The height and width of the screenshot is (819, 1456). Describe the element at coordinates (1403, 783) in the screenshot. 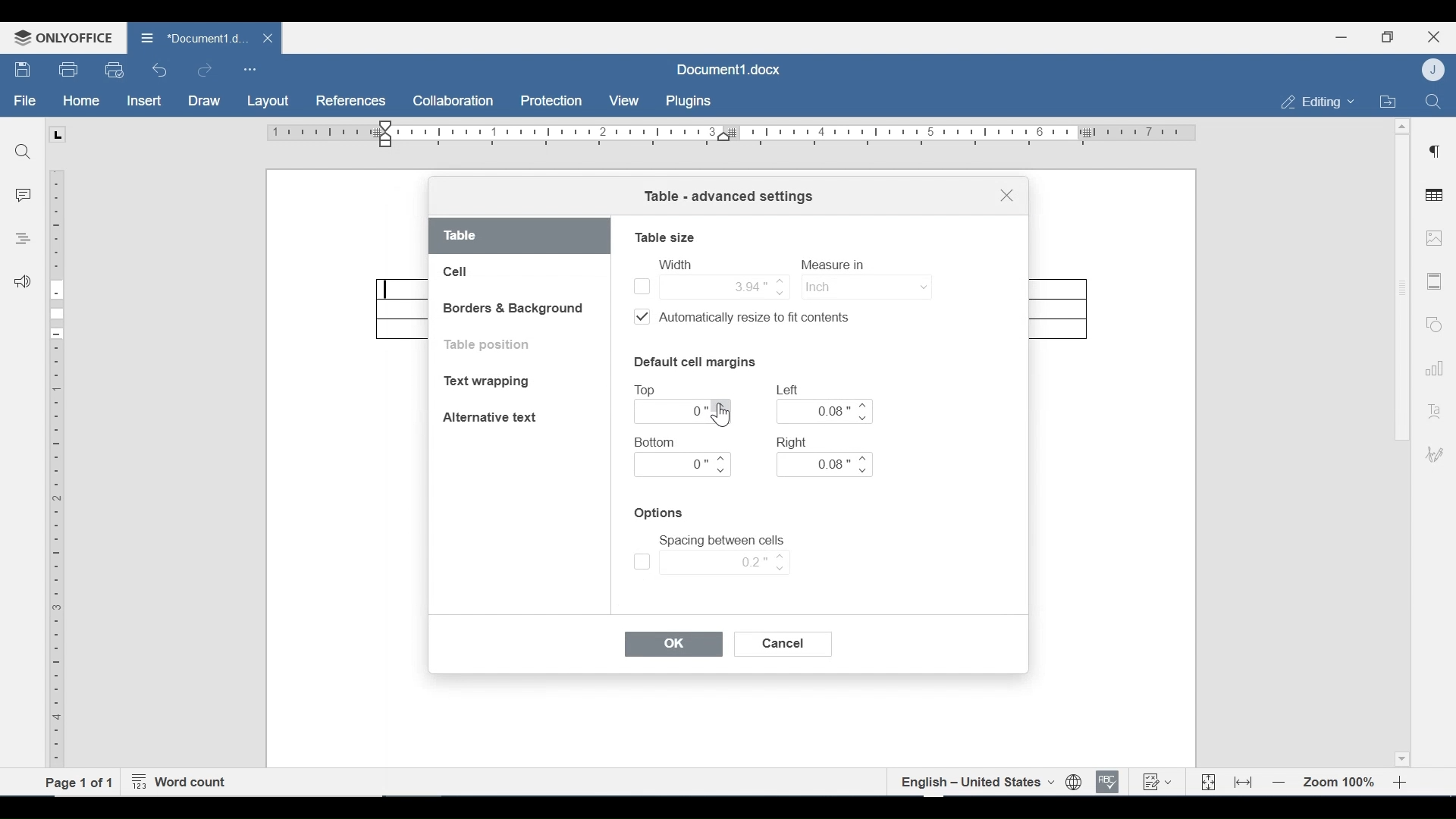

I see `Zoom in` at that location.